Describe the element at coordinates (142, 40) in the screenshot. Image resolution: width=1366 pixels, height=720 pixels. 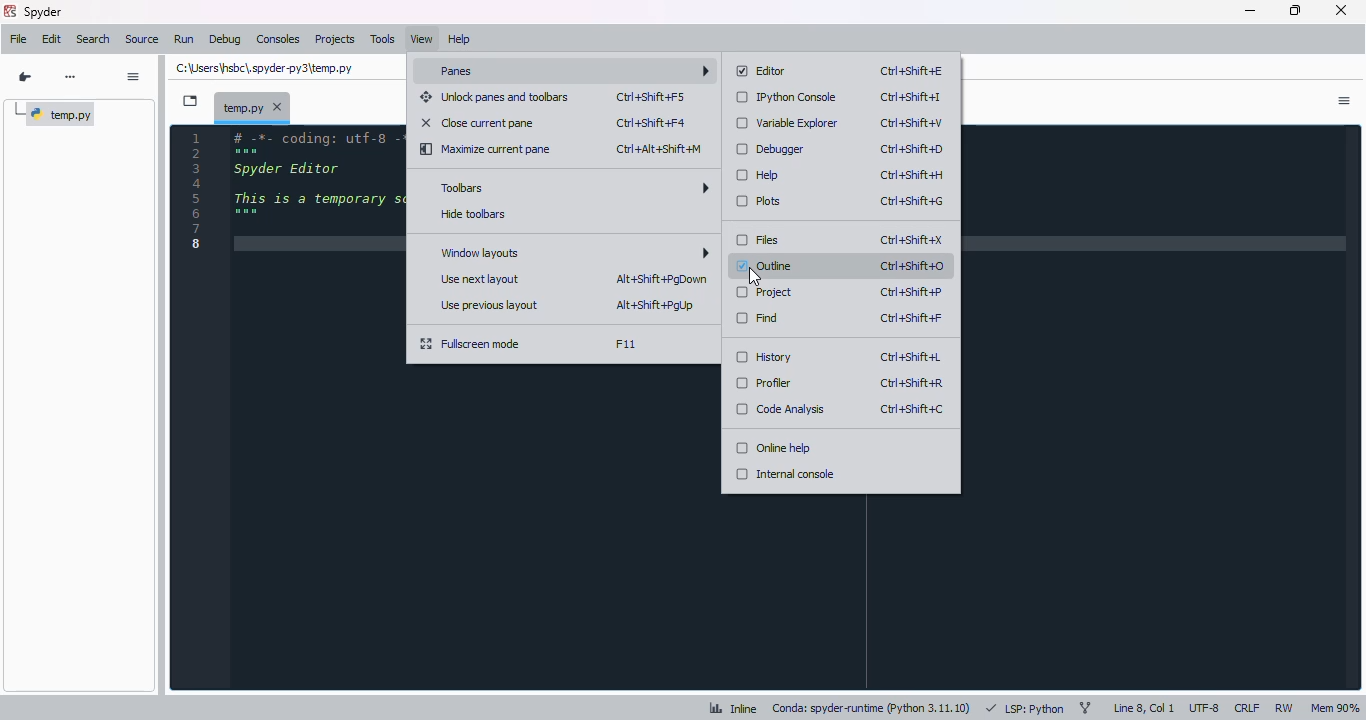
I see `source` at that location.